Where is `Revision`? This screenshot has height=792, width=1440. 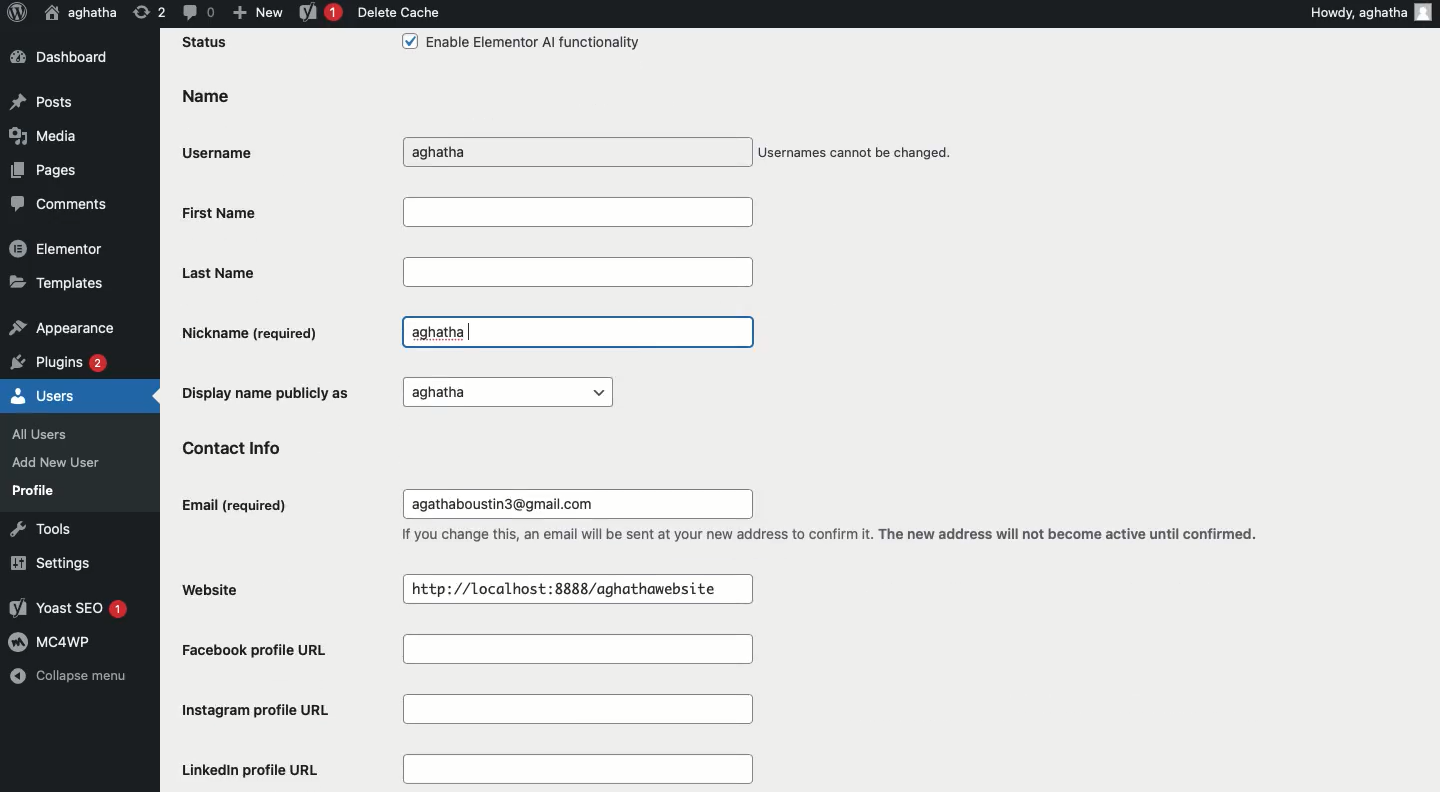
Revision is located at coordinates (150, 11).